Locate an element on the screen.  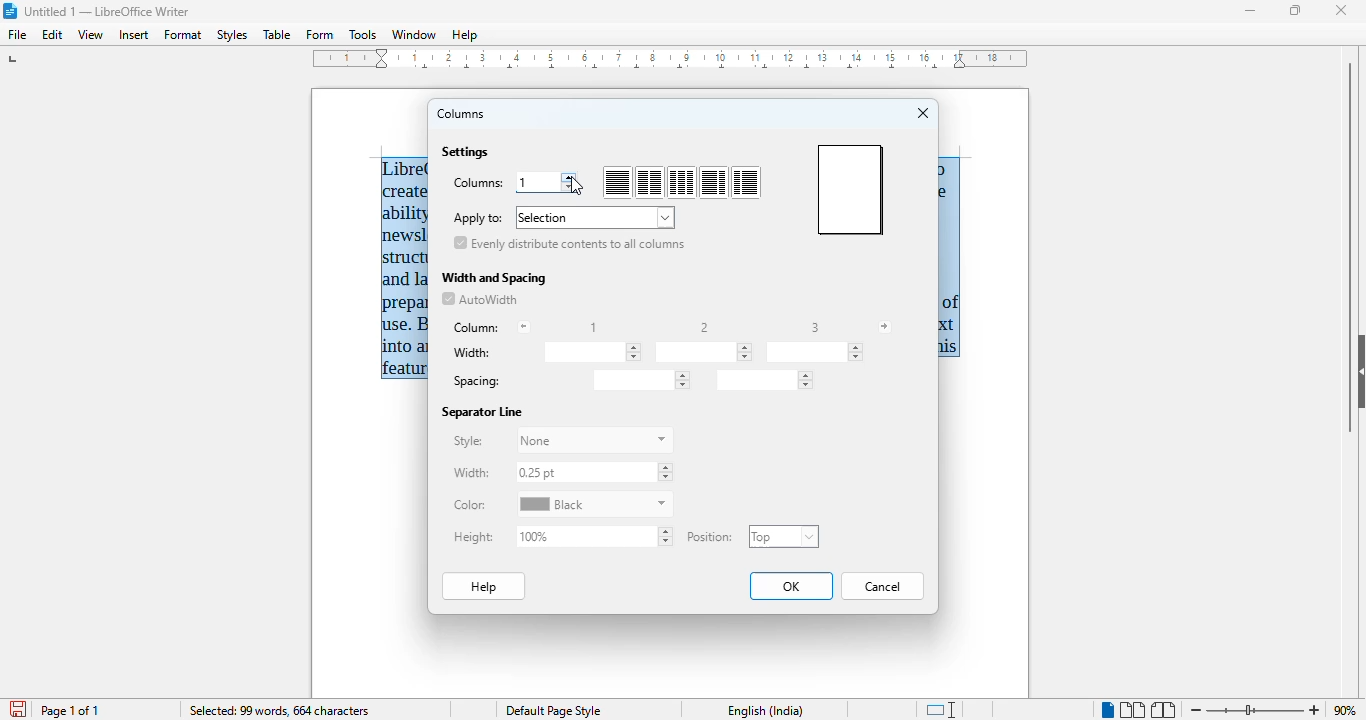
multi-page view is located at coordinates (1132, 710).